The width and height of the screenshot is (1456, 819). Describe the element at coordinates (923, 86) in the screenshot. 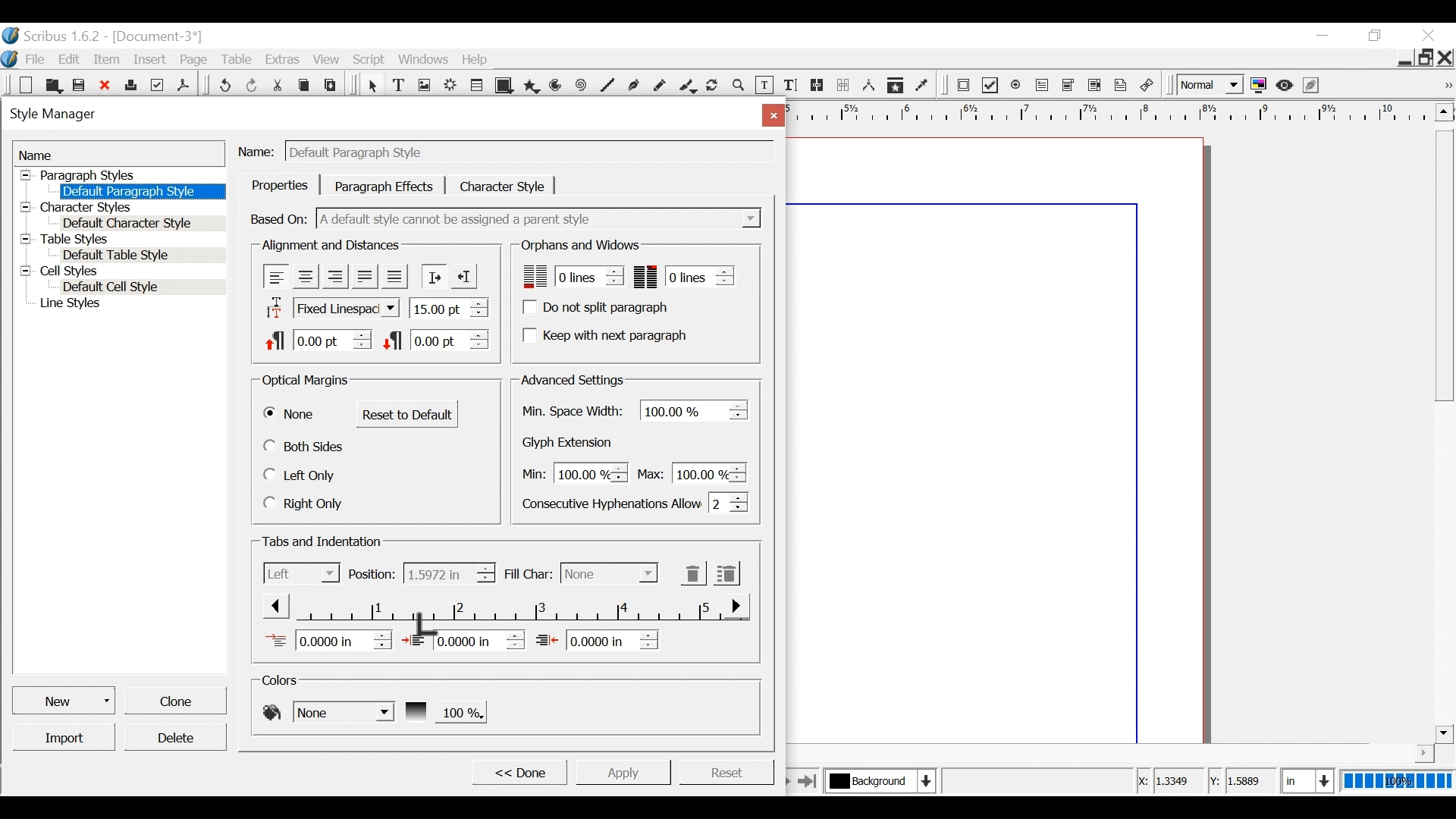

I see `Eye dropper` at that location.